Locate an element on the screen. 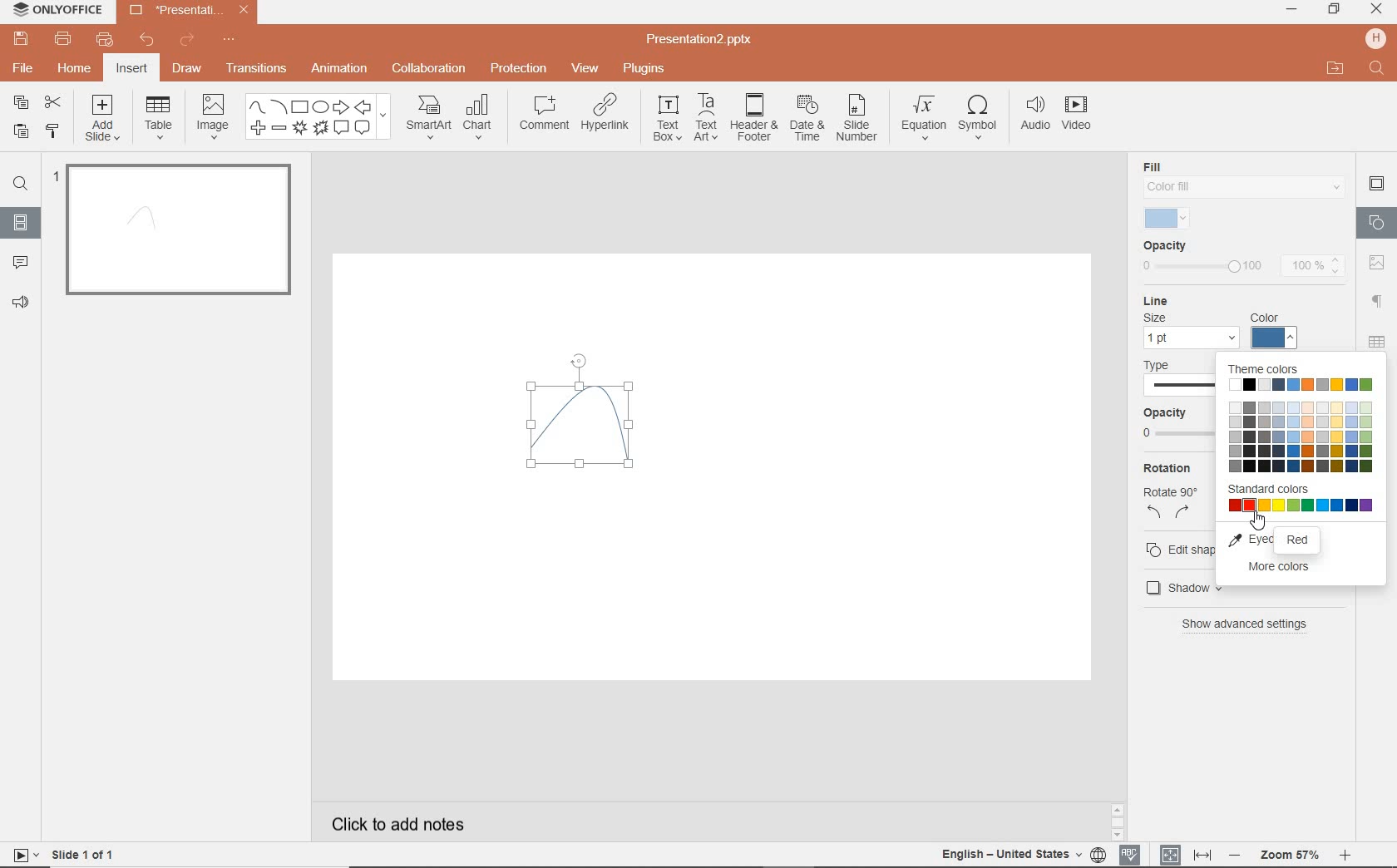 The height and width of the screenshot is (868, 1397). SHAPES is located at coordinates (321, 118).